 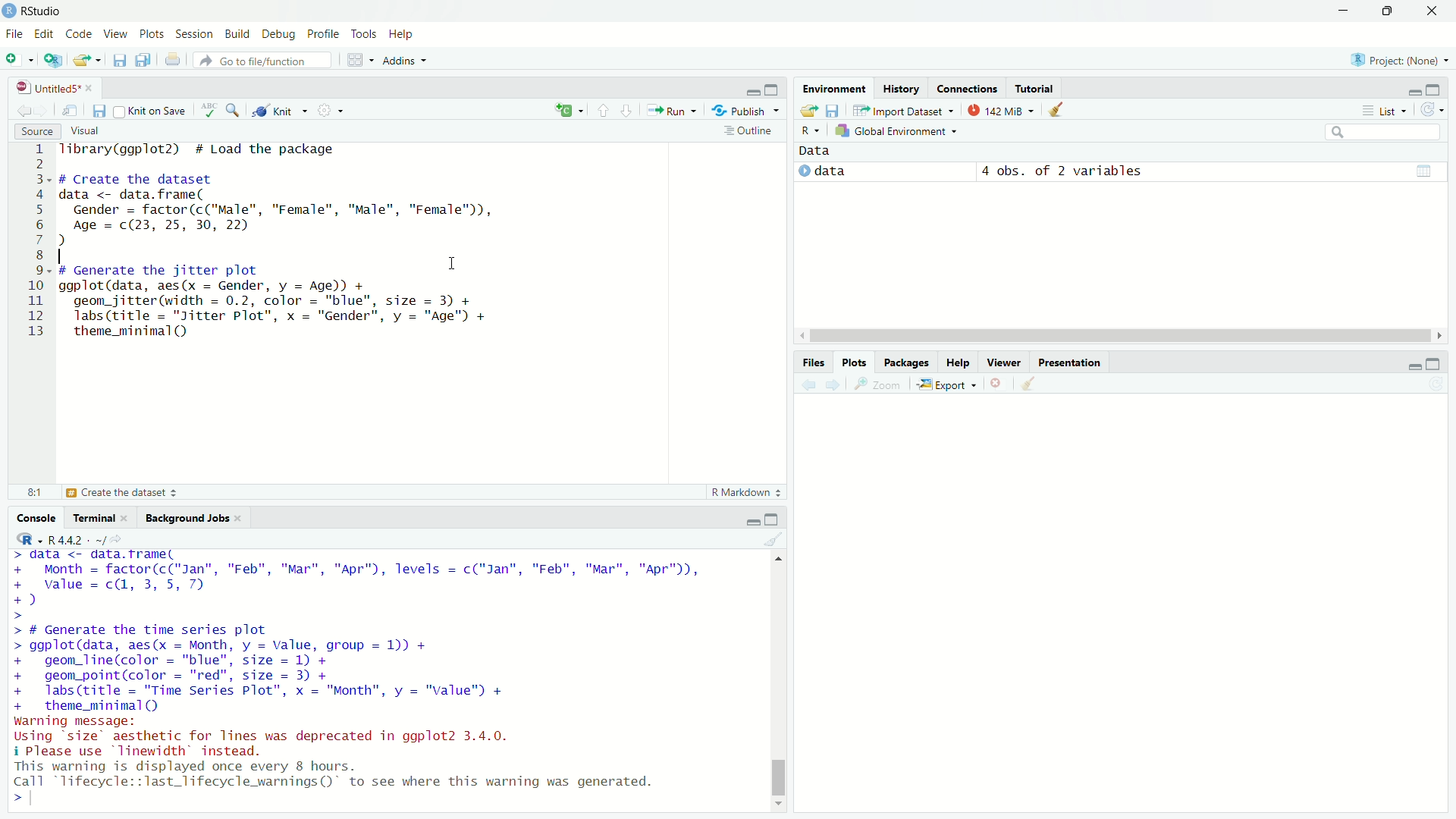 What do you see at coordinates (1437, 110) in the screenshot?
I see `refresh` at bounding box center [1437, 110].